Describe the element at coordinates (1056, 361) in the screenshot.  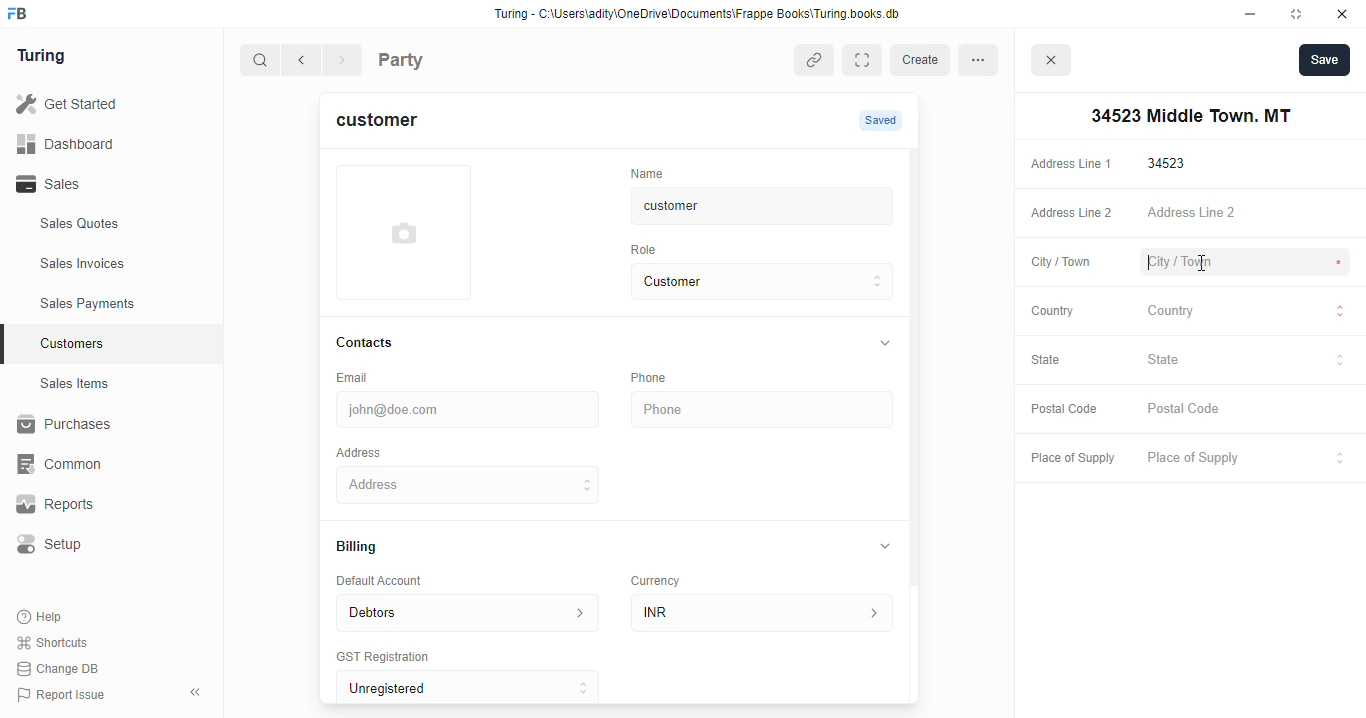
I see `State` at that location.